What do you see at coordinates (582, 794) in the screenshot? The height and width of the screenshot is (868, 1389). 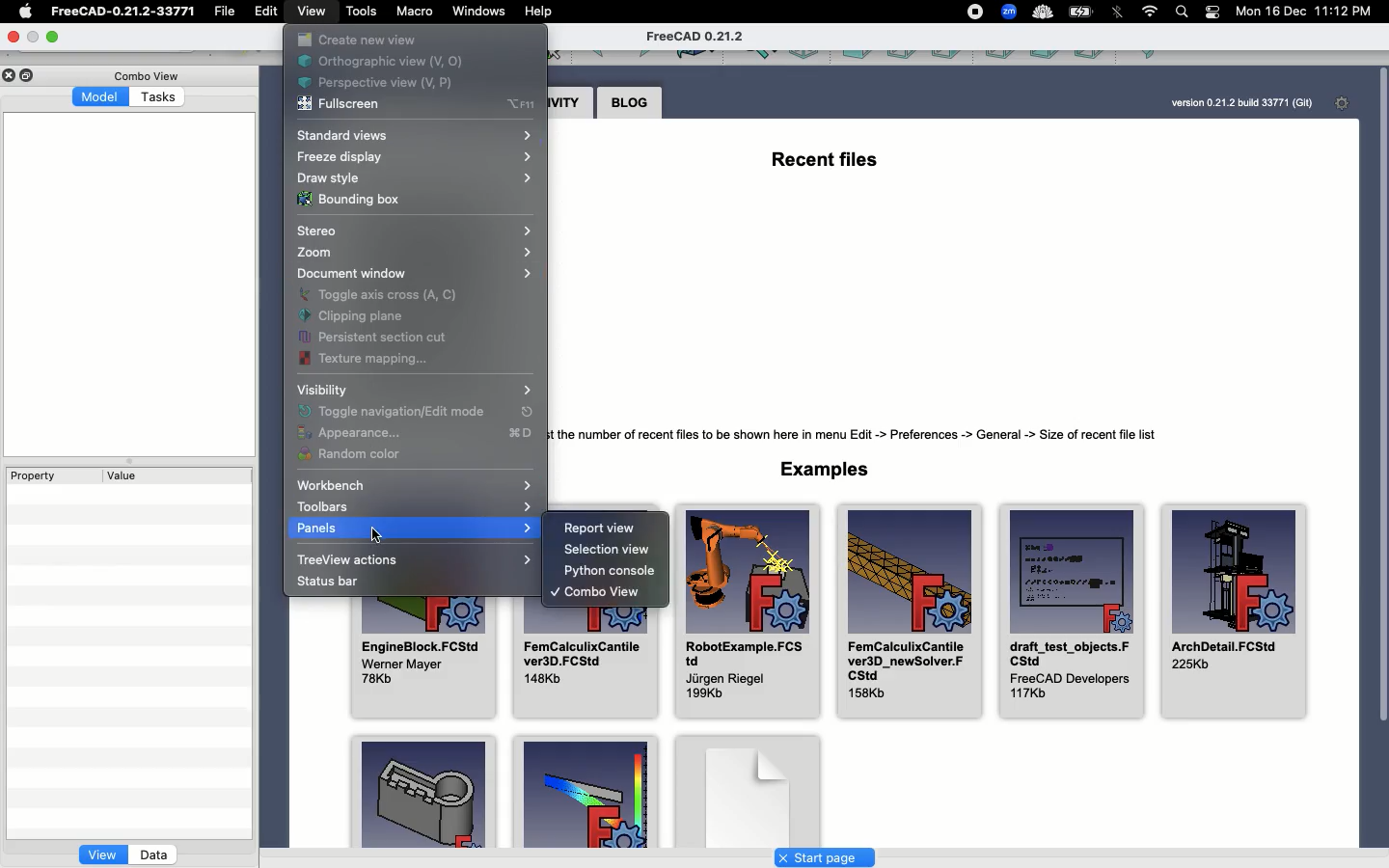 I see `Examples` at bounding box center [582, 794].